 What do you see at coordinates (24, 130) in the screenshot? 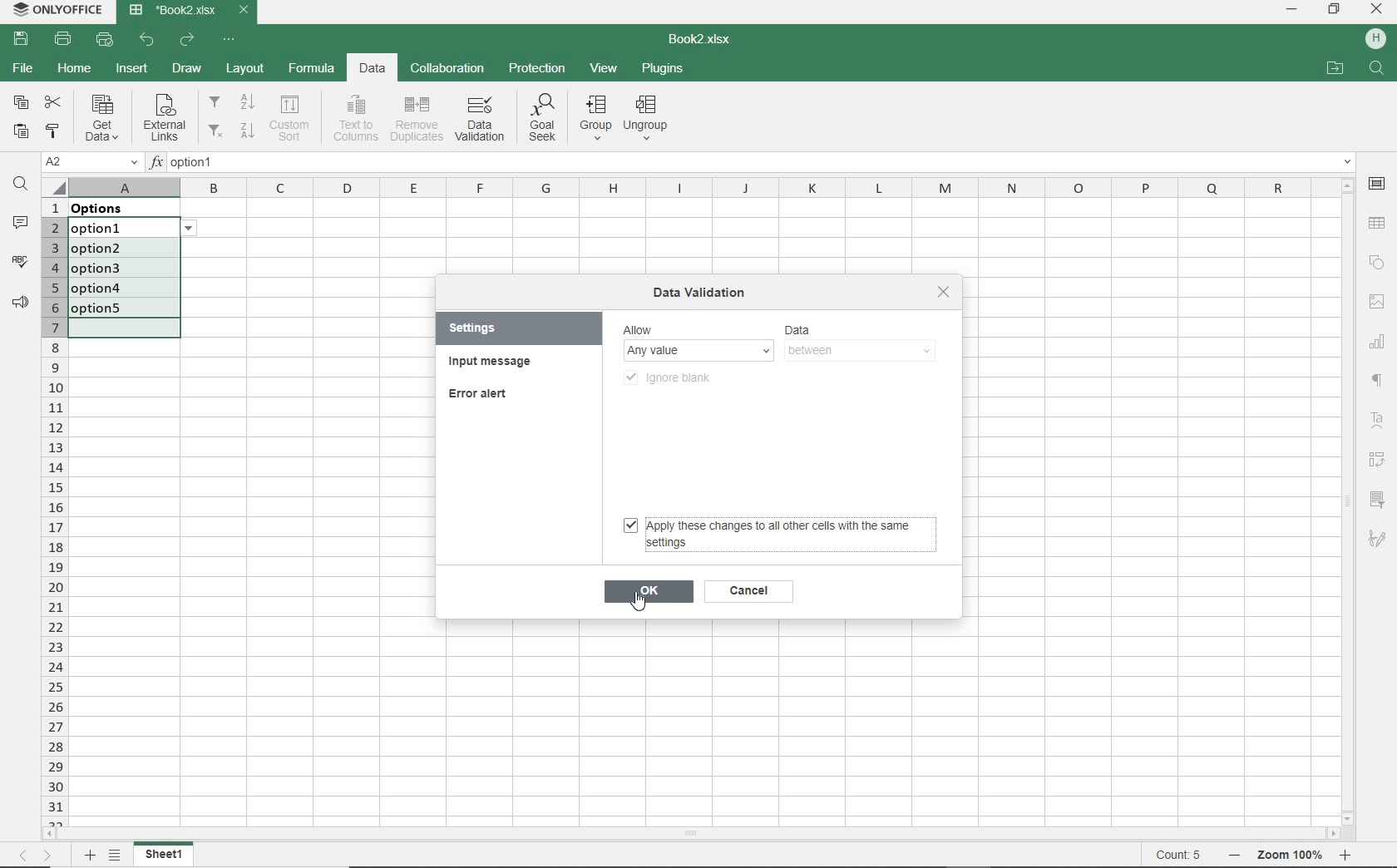
I see `PASTE` at bounding box center [24, 130].